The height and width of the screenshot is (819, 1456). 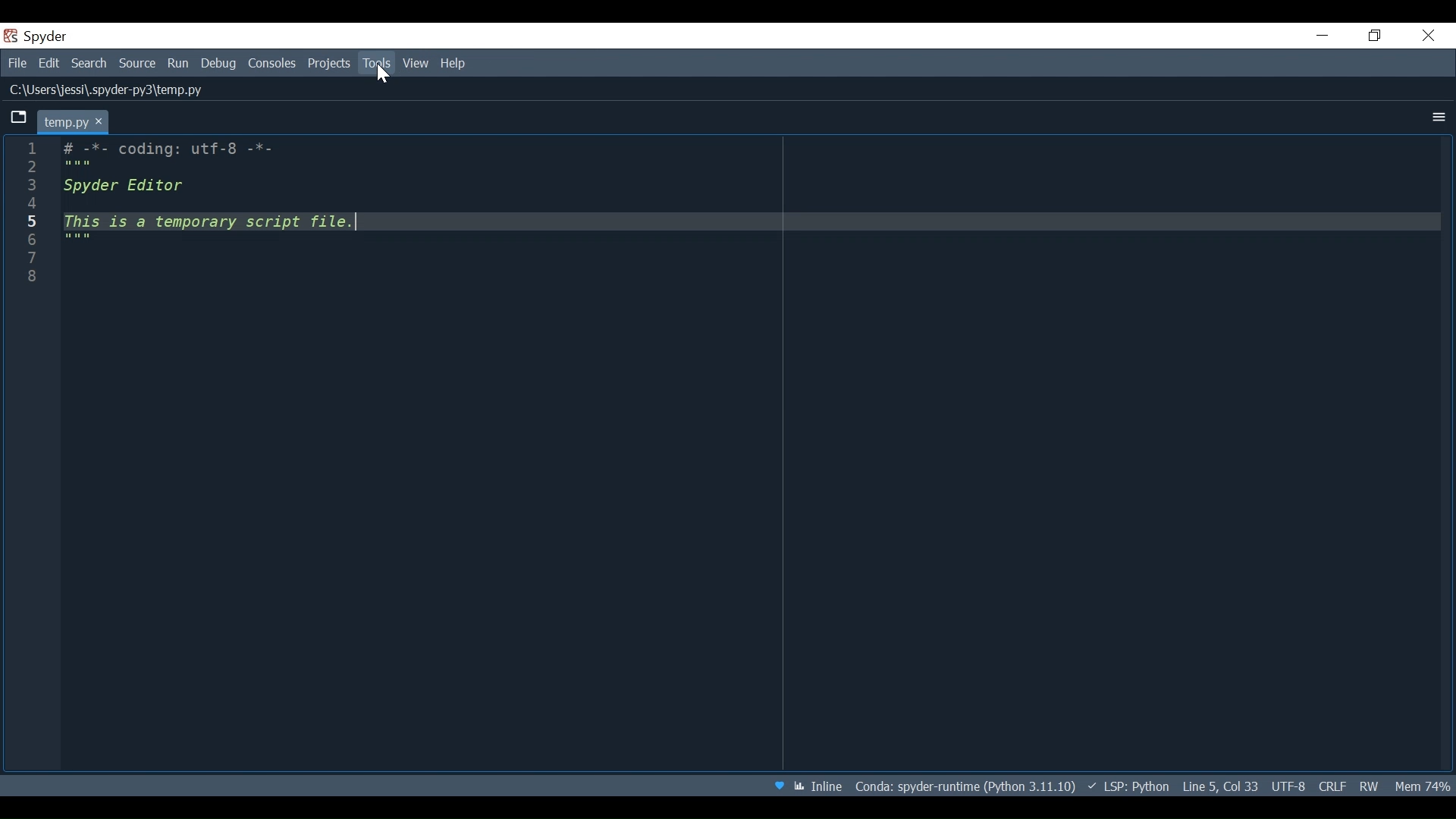 What do you see at coordinates (821, 785) in the screenshot?
I see `Toggle between inline and interactive Matplotlib plotting` at bounding box center [821, 785].